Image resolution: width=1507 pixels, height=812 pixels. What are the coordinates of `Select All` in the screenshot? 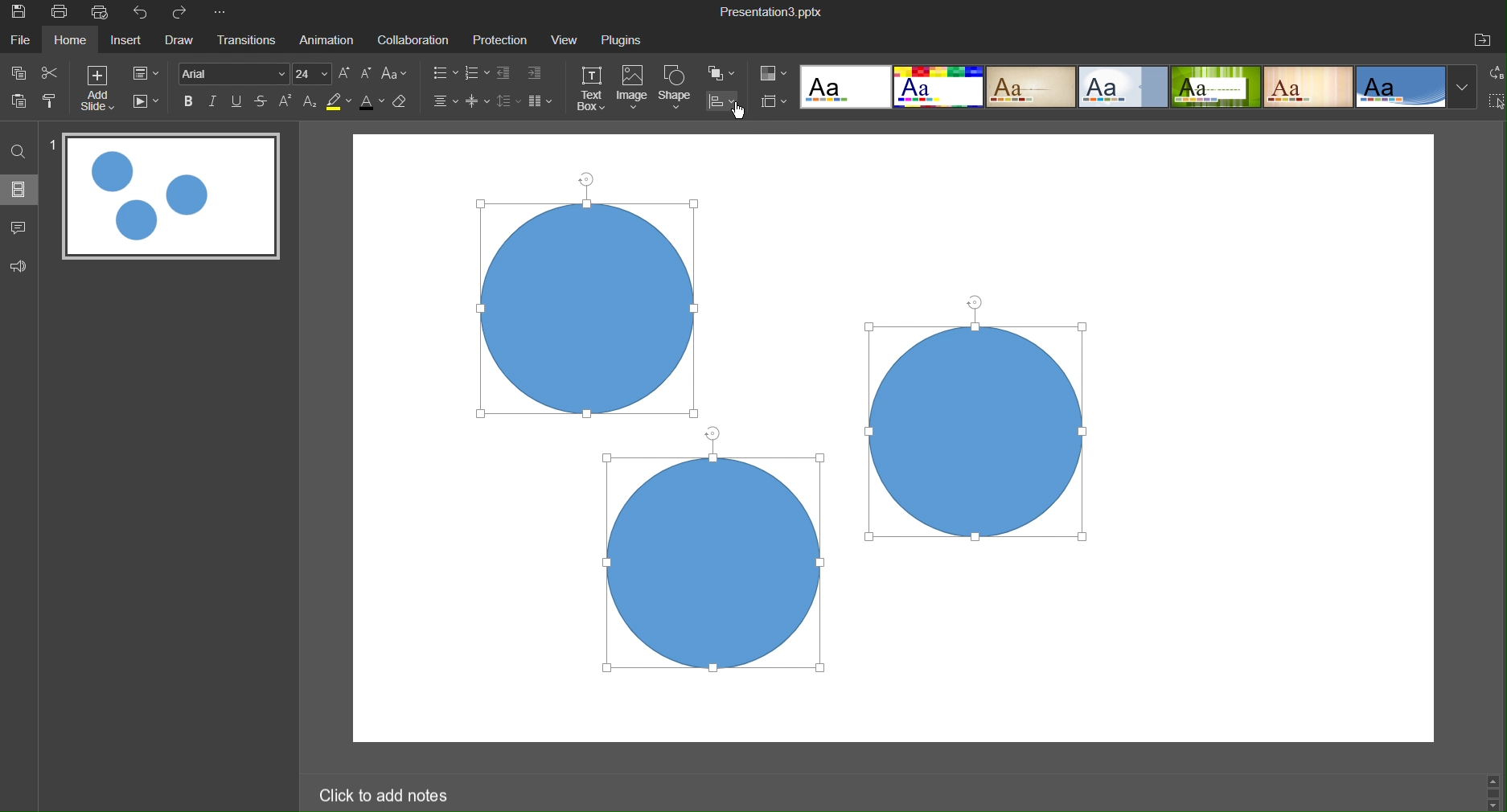 It's located at (1497, 103).